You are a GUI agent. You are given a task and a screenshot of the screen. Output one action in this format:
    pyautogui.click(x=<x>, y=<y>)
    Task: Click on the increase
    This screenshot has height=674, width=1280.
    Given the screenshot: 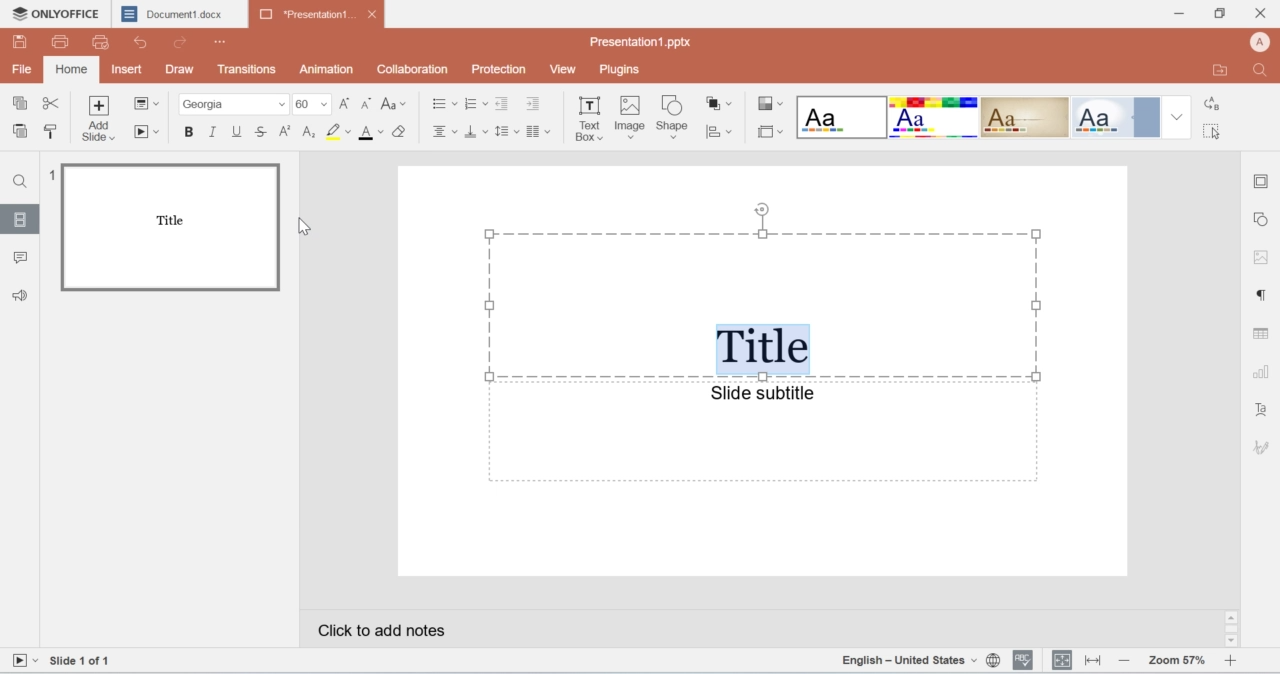 What is the action you would take?
    pyautogui.click(x=1231, y=661)
    